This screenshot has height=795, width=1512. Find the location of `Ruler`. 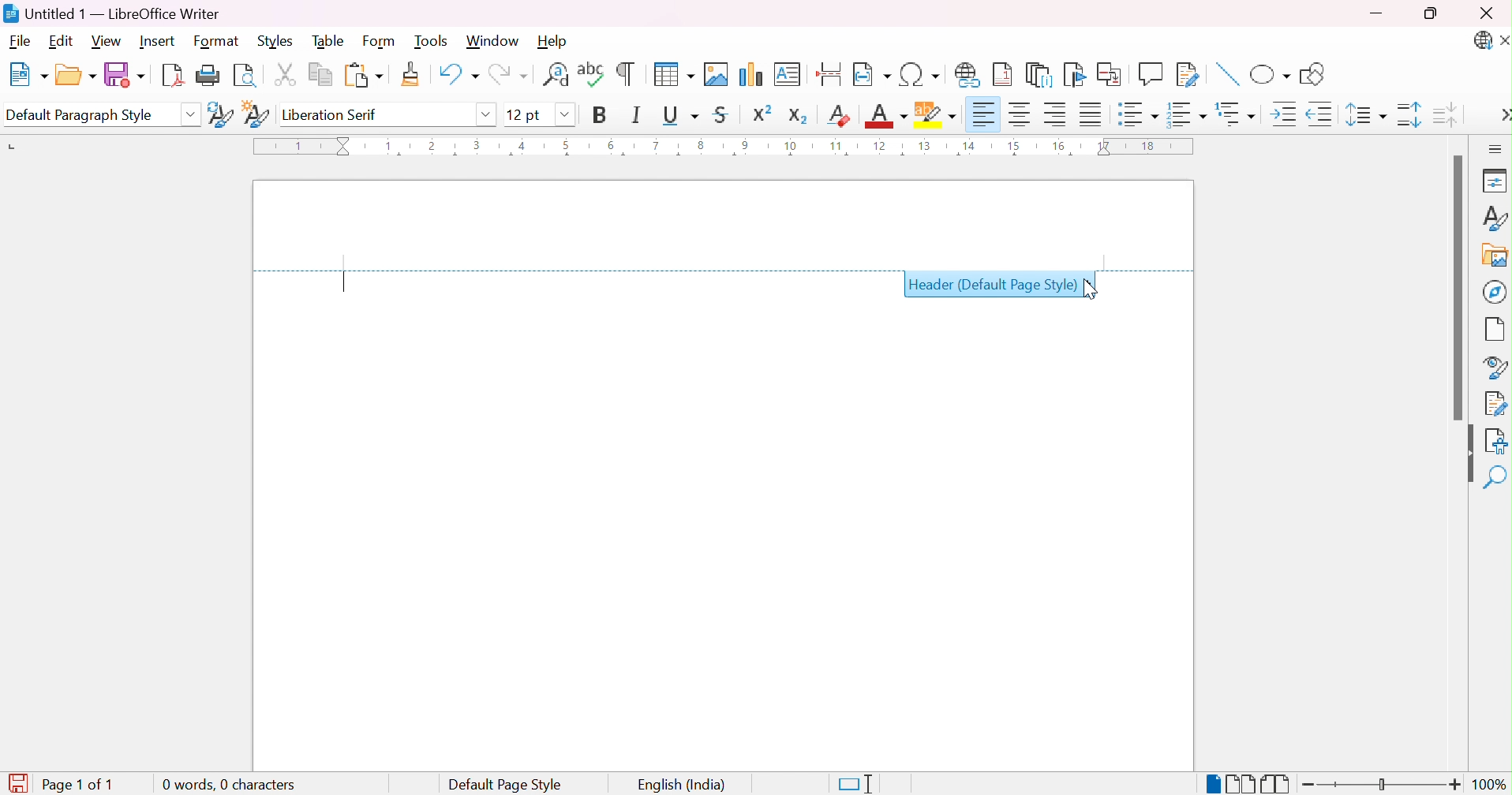

Ruler is located at coordinates (720, 147).